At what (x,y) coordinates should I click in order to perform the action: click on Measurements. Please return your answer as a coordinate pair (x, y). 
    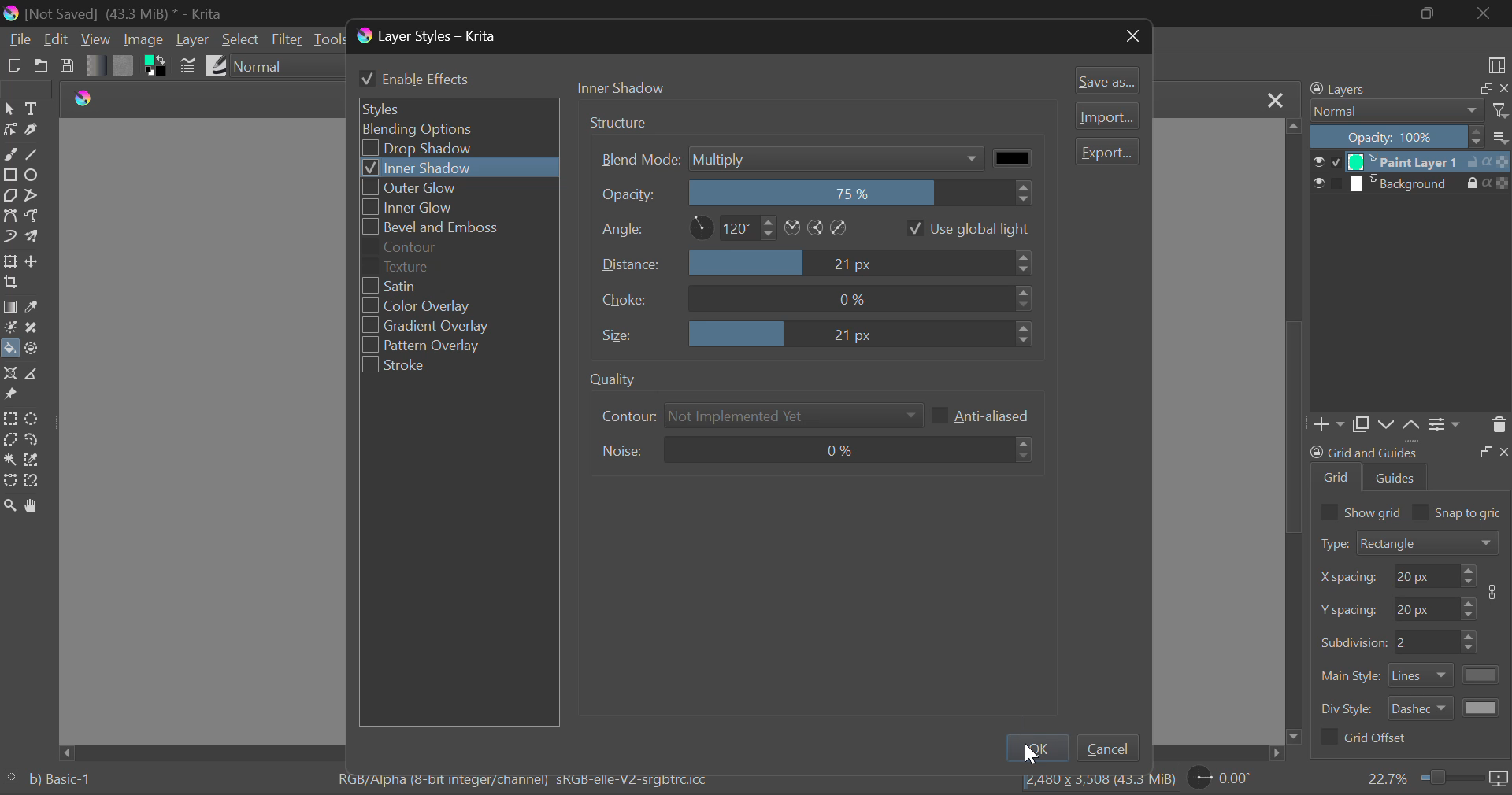
    Looking at the image, I should click on (34, 373).